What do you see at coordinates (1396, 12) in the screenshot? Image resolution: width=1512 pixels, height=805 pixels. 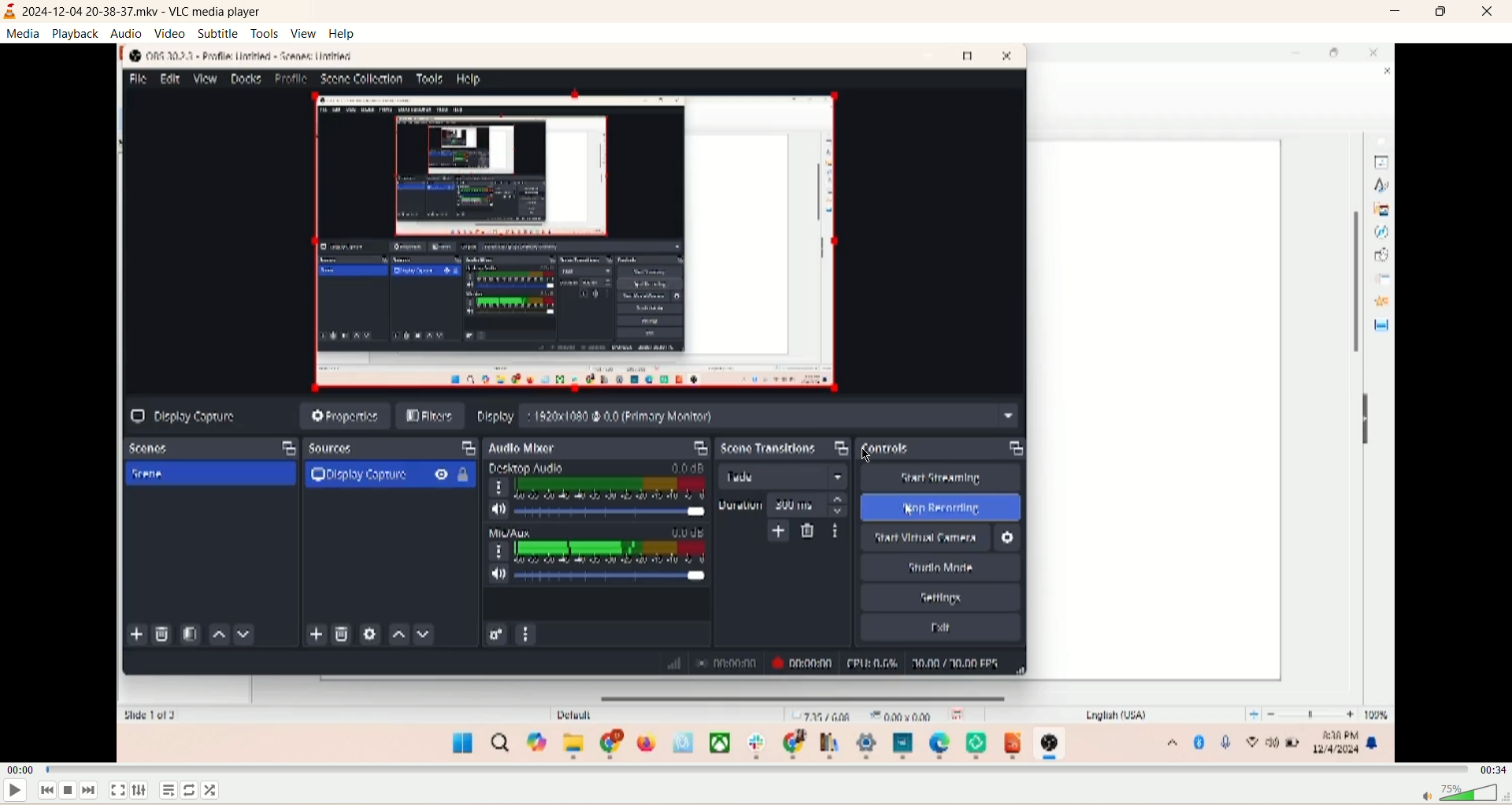 I see `minimize` at bounding box center [1396, 12].